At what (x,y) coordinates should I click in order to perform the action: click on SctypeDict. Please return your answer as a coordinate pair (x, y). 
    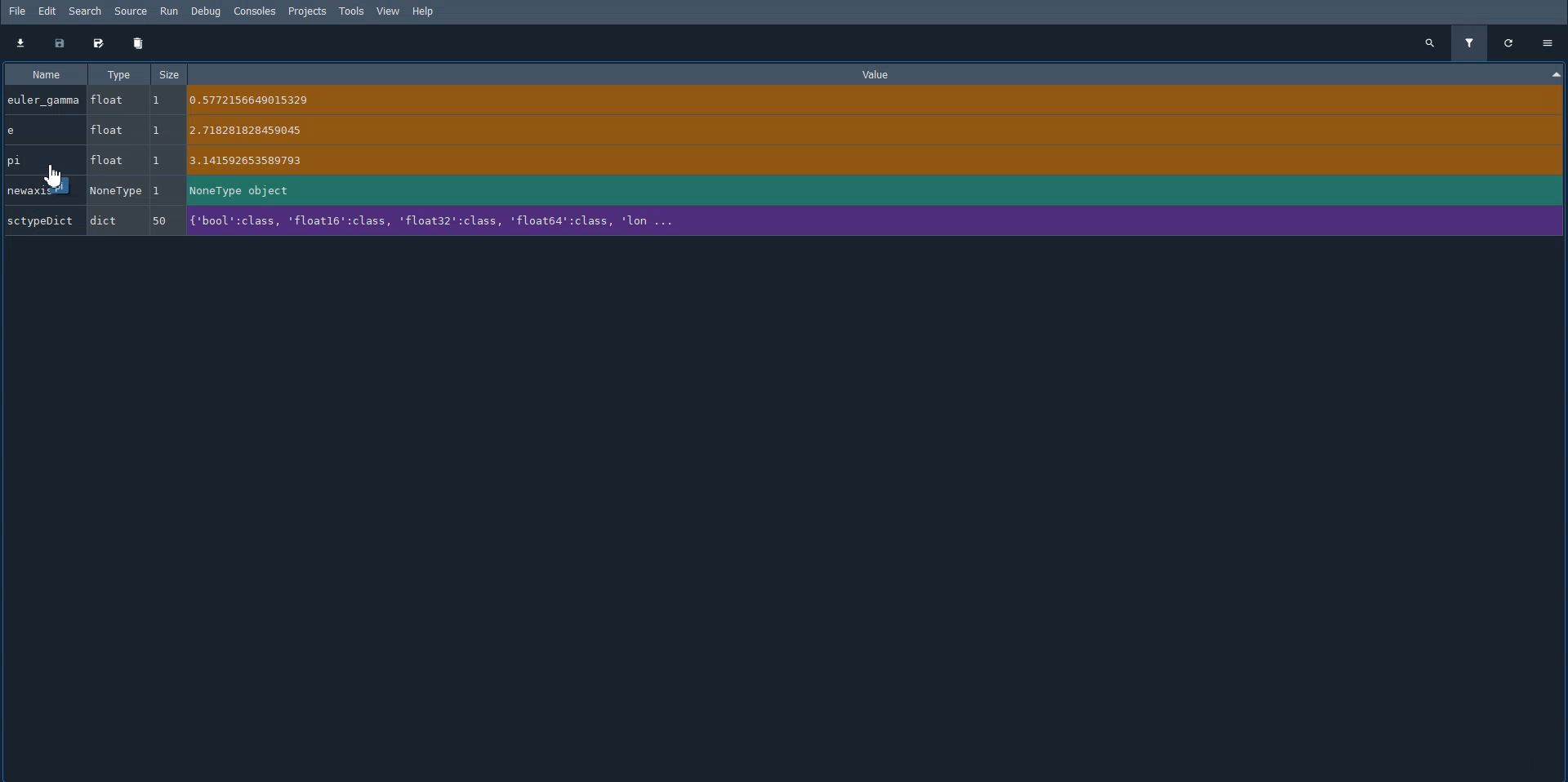
    Looking at the image, I should click on (784, 222).